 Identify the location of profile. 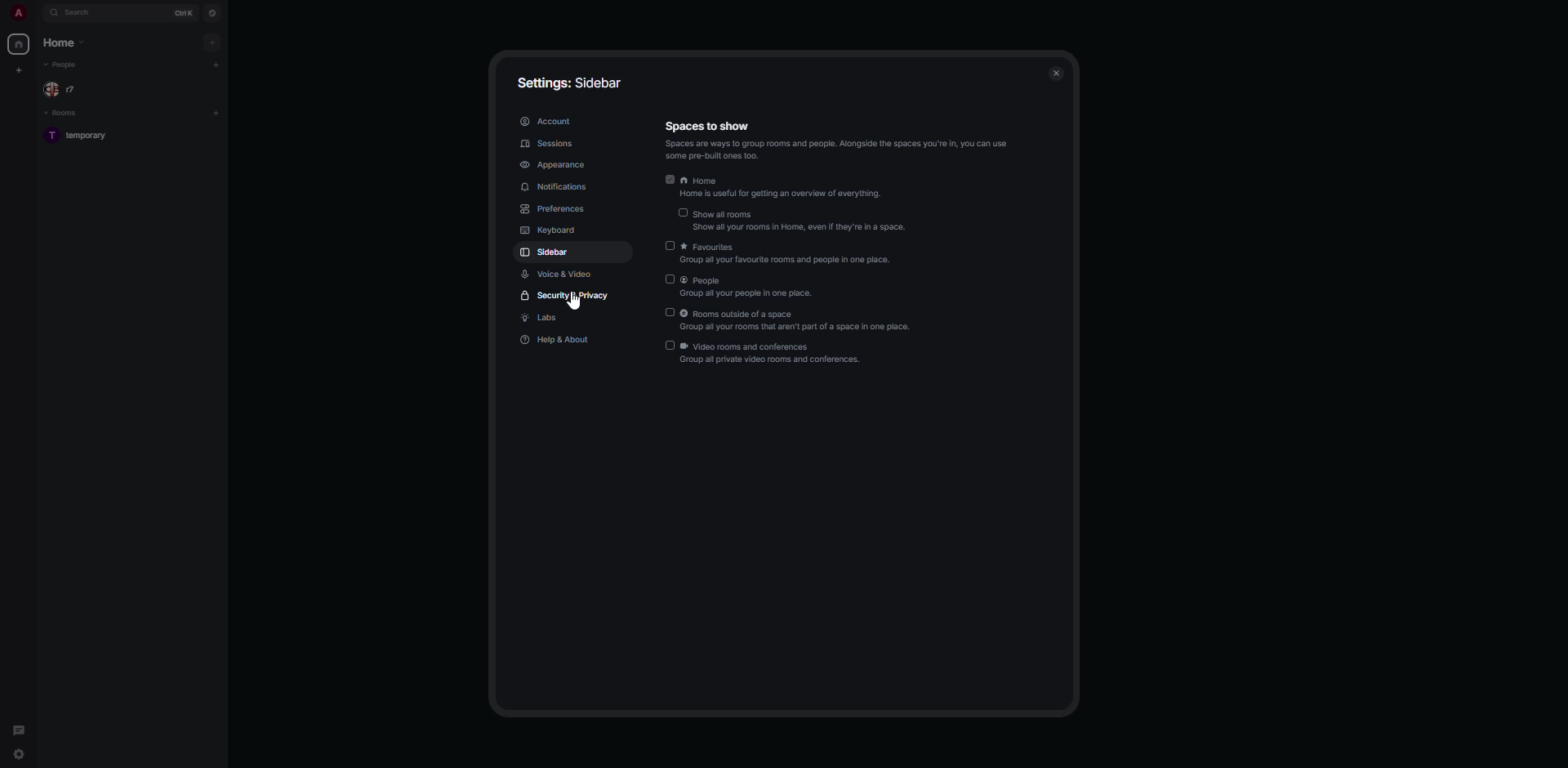
(18, 12).